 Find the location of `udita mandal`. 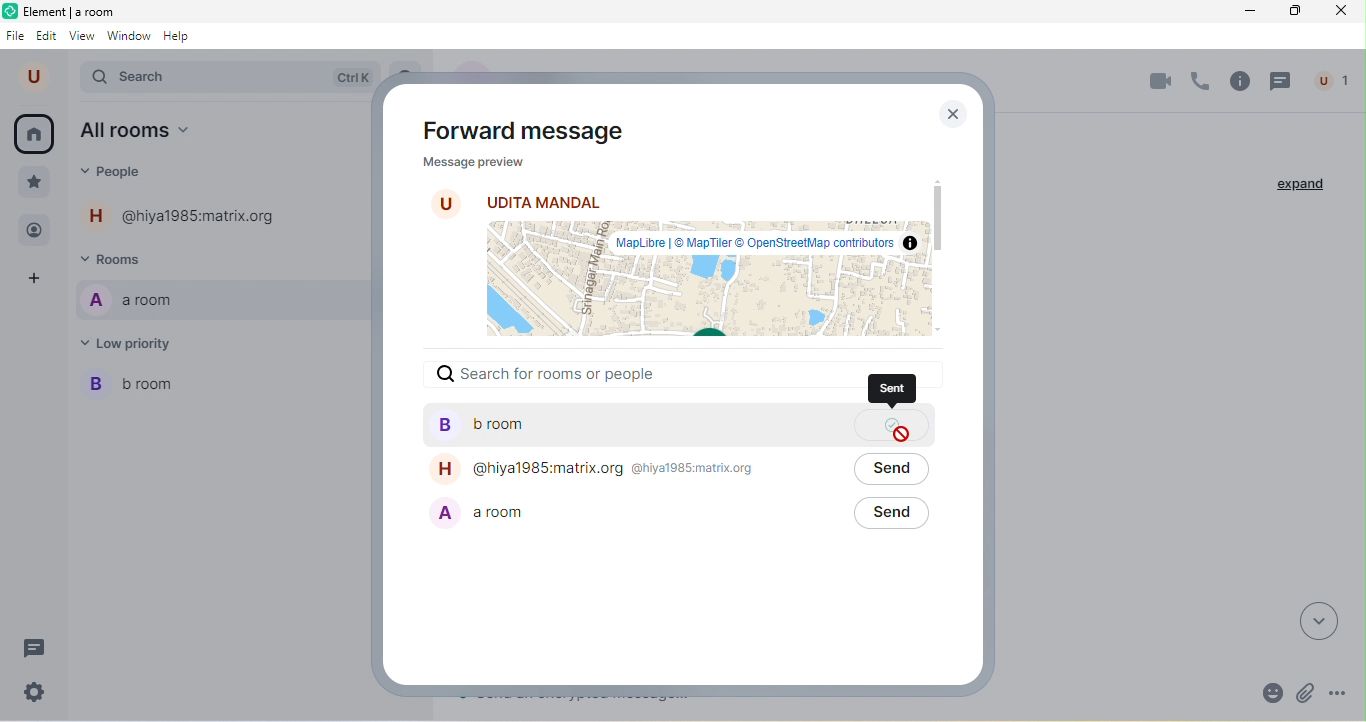

udita mandal is located at coordinates (520, 199).